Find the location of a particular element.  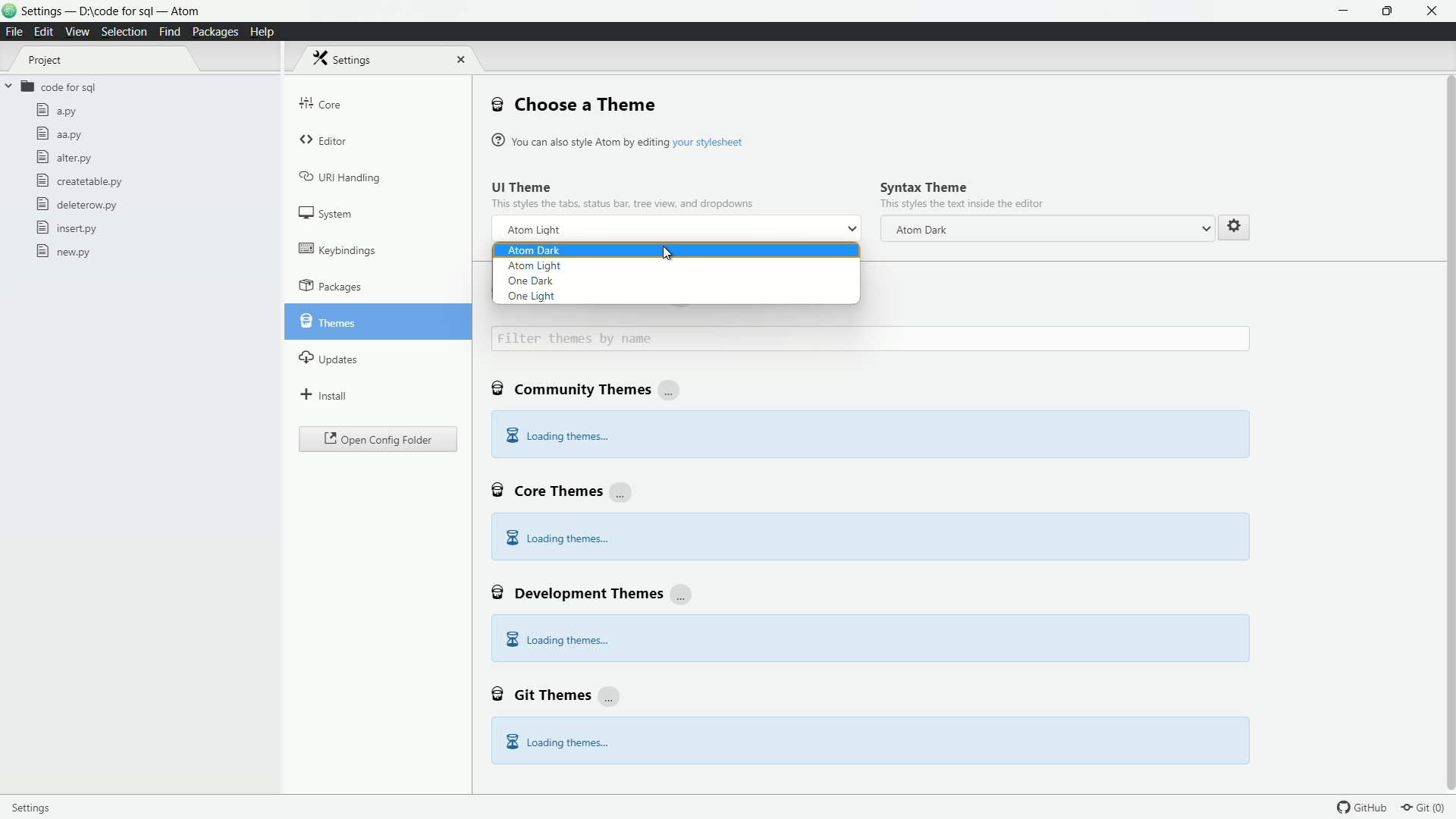

one light is located at coordinates (532, 297).